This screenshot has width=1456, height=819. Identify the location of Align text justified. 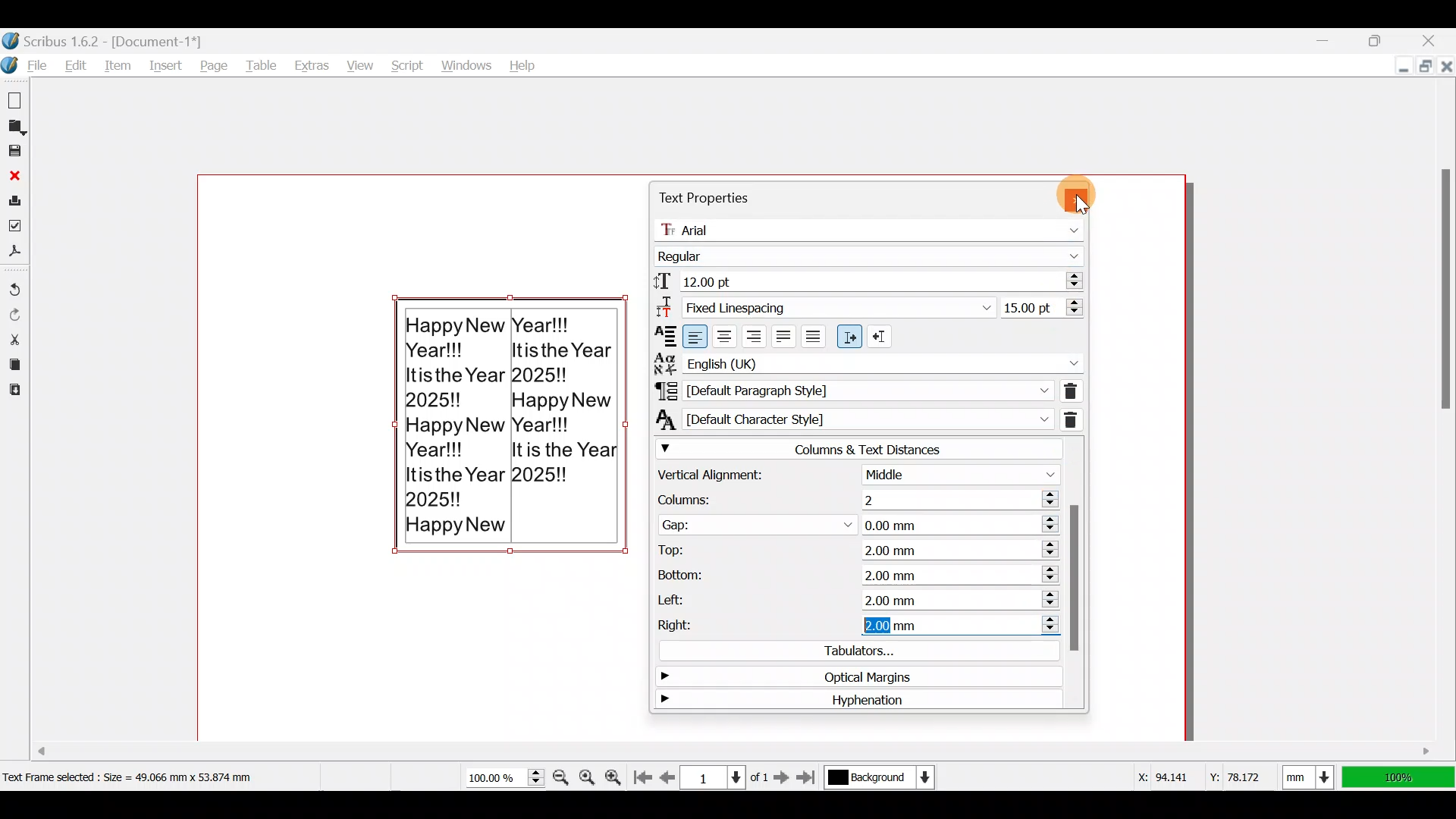
(783, 334).